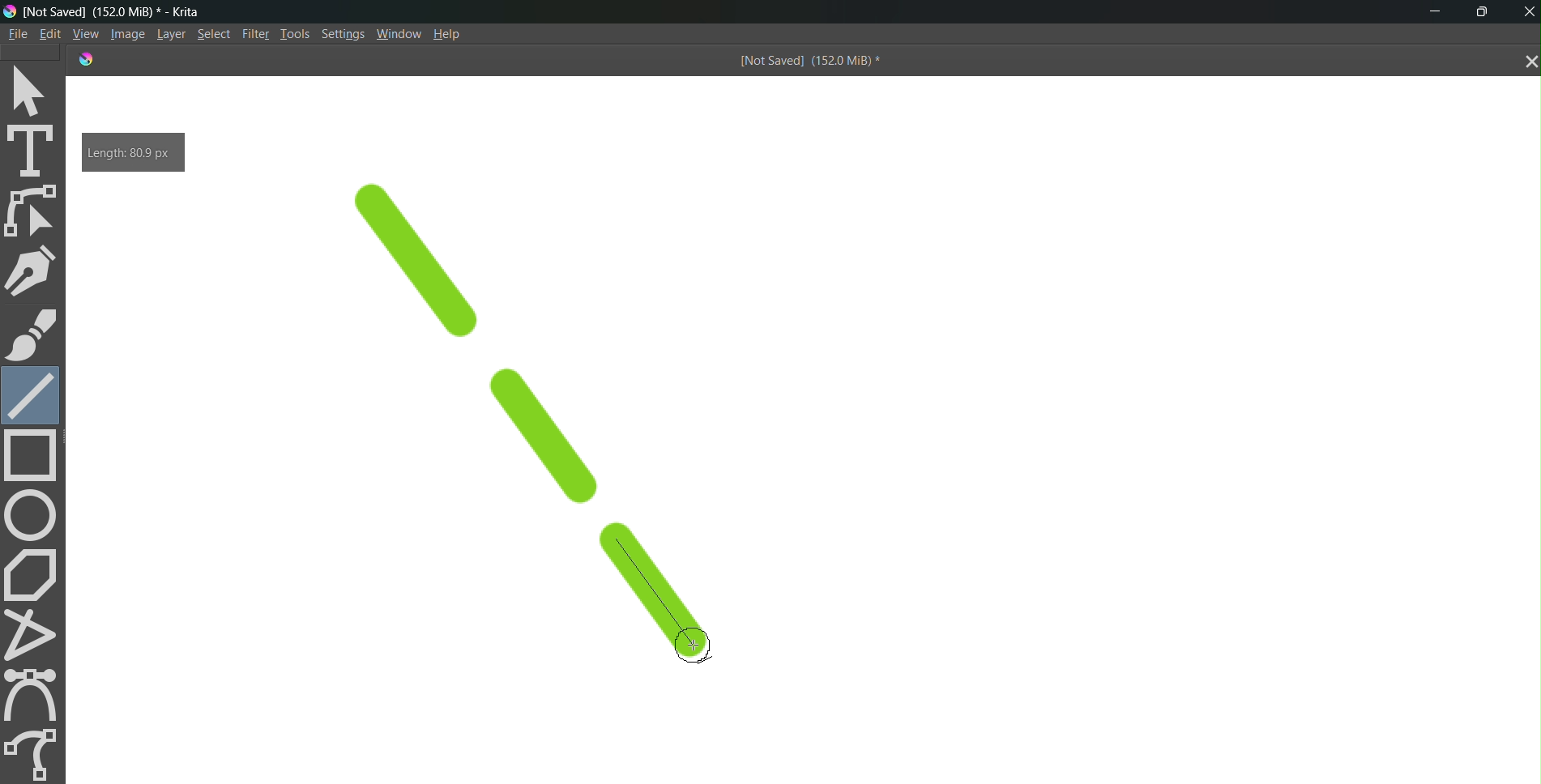  What do you see at coordinates (1429, 13) in the screenshot?
I see `minimize` at bounding box center [1429, 13].